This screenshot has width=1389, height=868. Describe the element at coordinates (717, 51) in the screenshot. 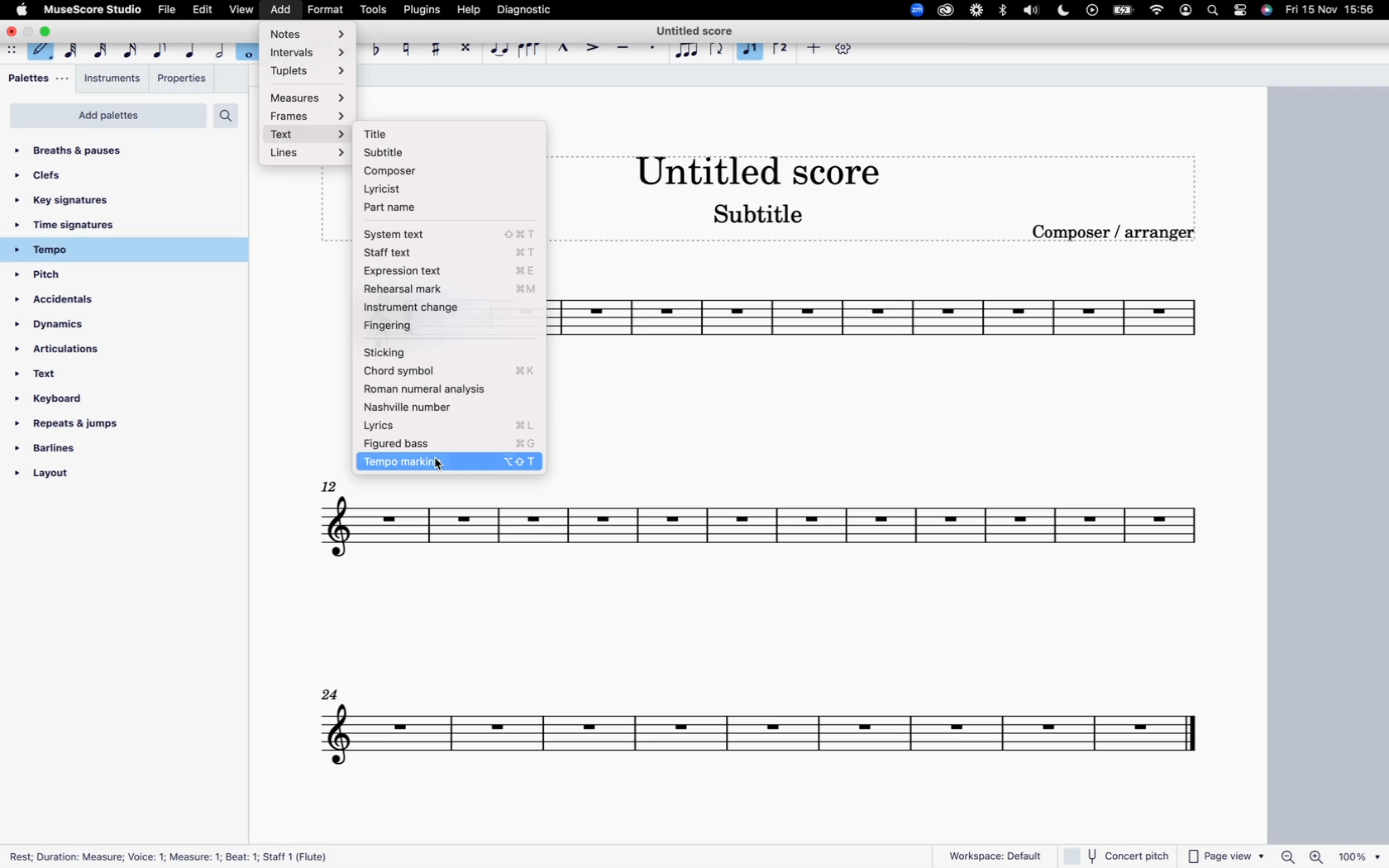

I see `flip direction` at that location.